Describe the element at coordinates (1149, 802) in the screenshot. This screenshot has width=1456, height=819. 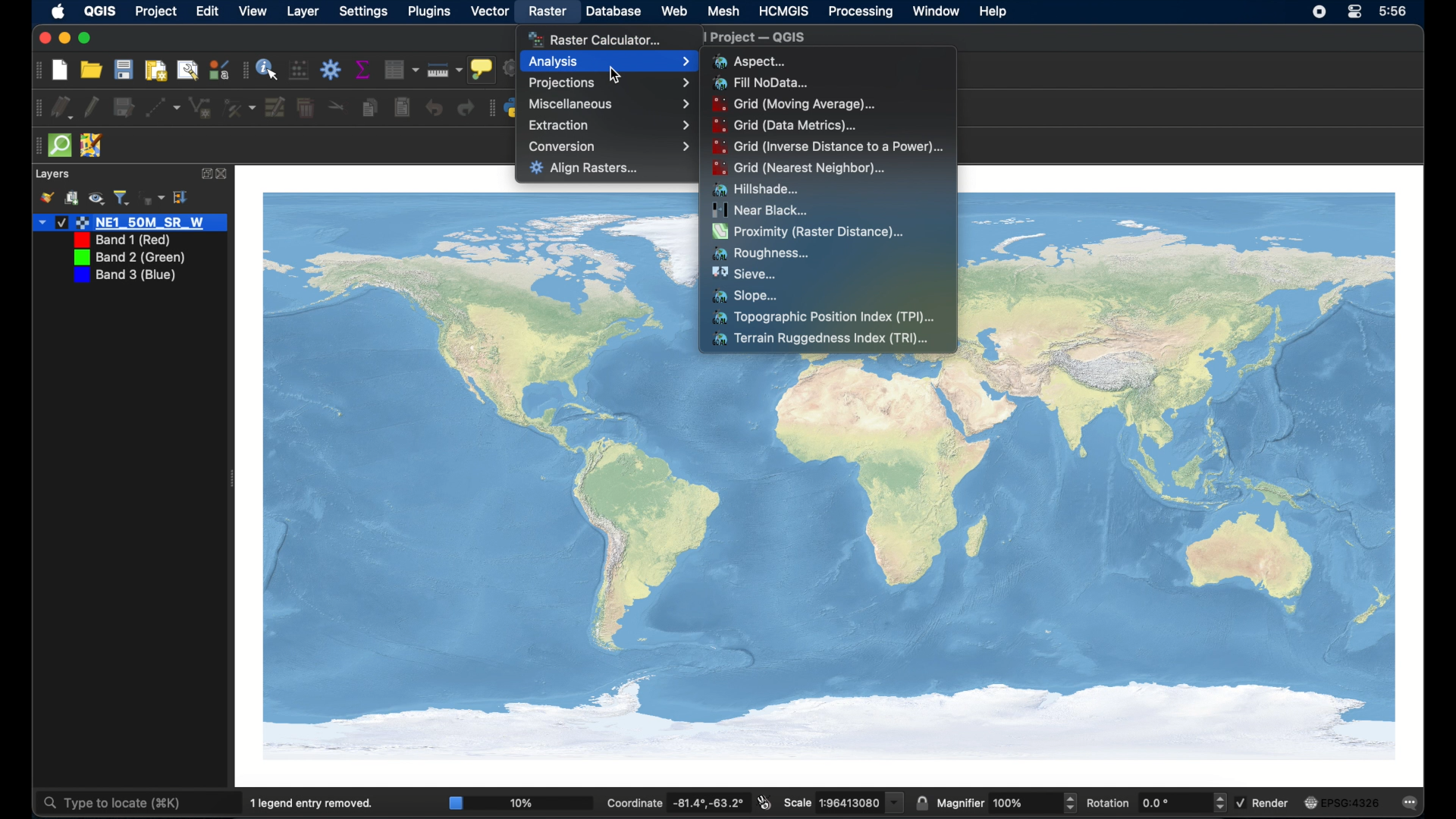
I see `rotation` at that location.